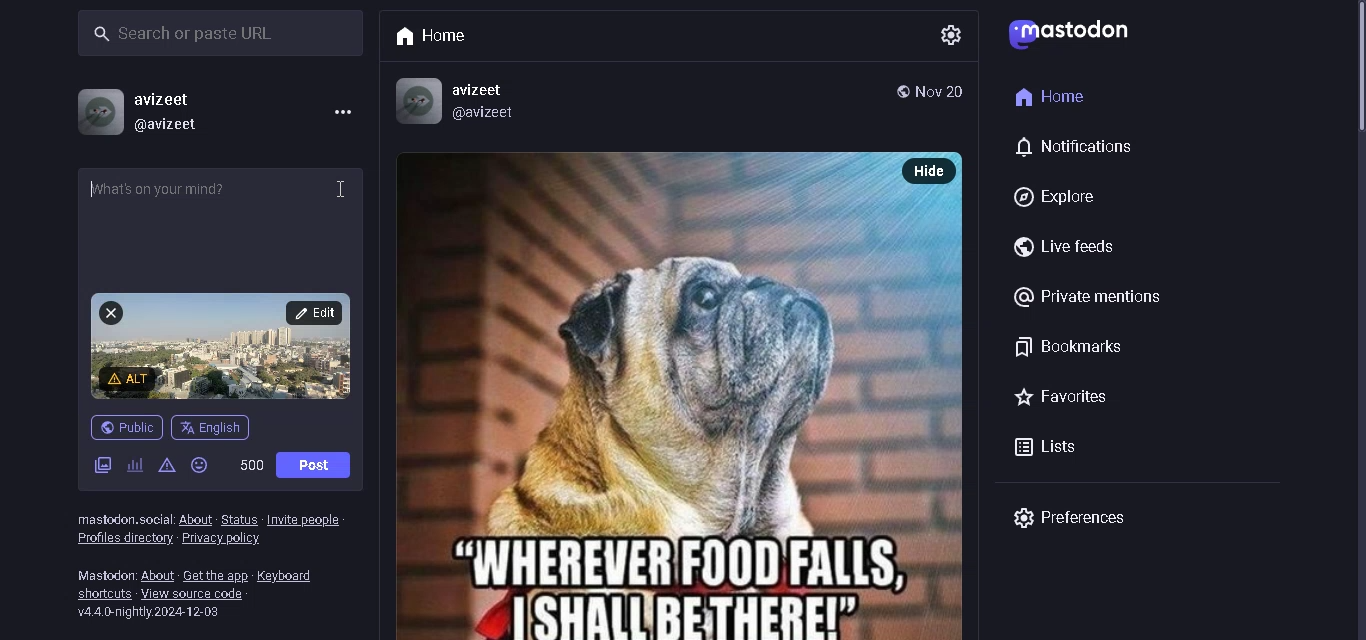 The image size is (1366, 640). Describe the element at coordinates (1066, 347) in the screenshot. I see `bookmarks` at that location.